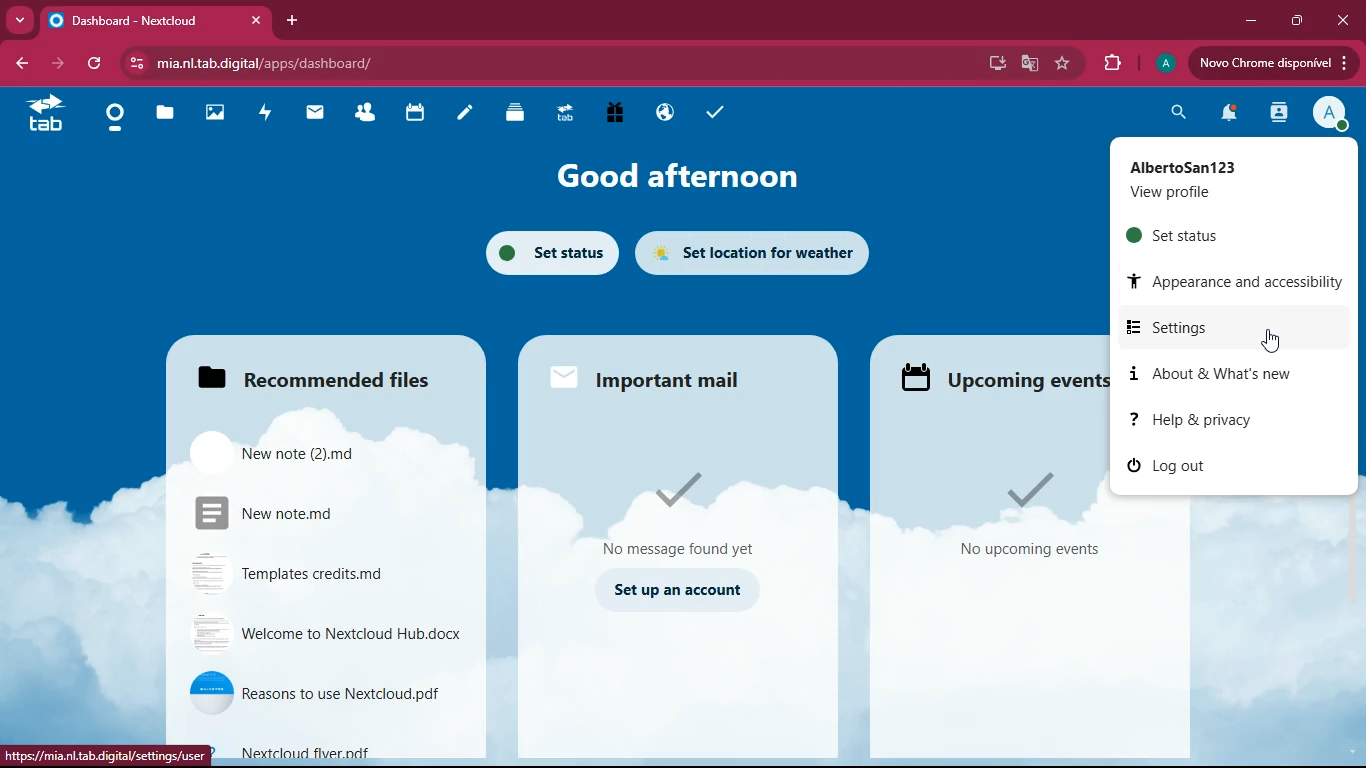  Describe the element at coordinates (619, 114) in the screenshot. I see `gift` at that location.